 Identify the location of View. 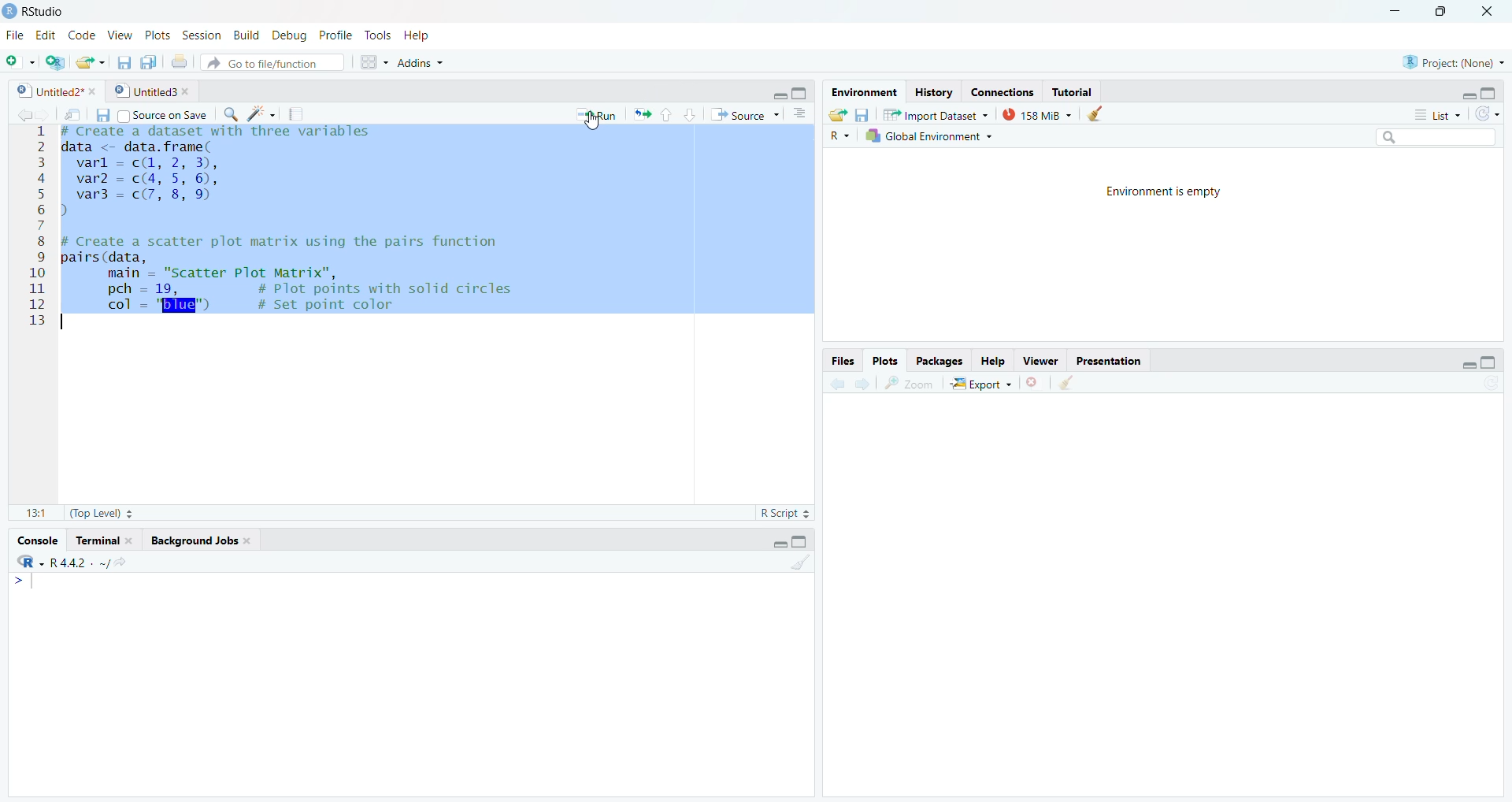
(120, 32).